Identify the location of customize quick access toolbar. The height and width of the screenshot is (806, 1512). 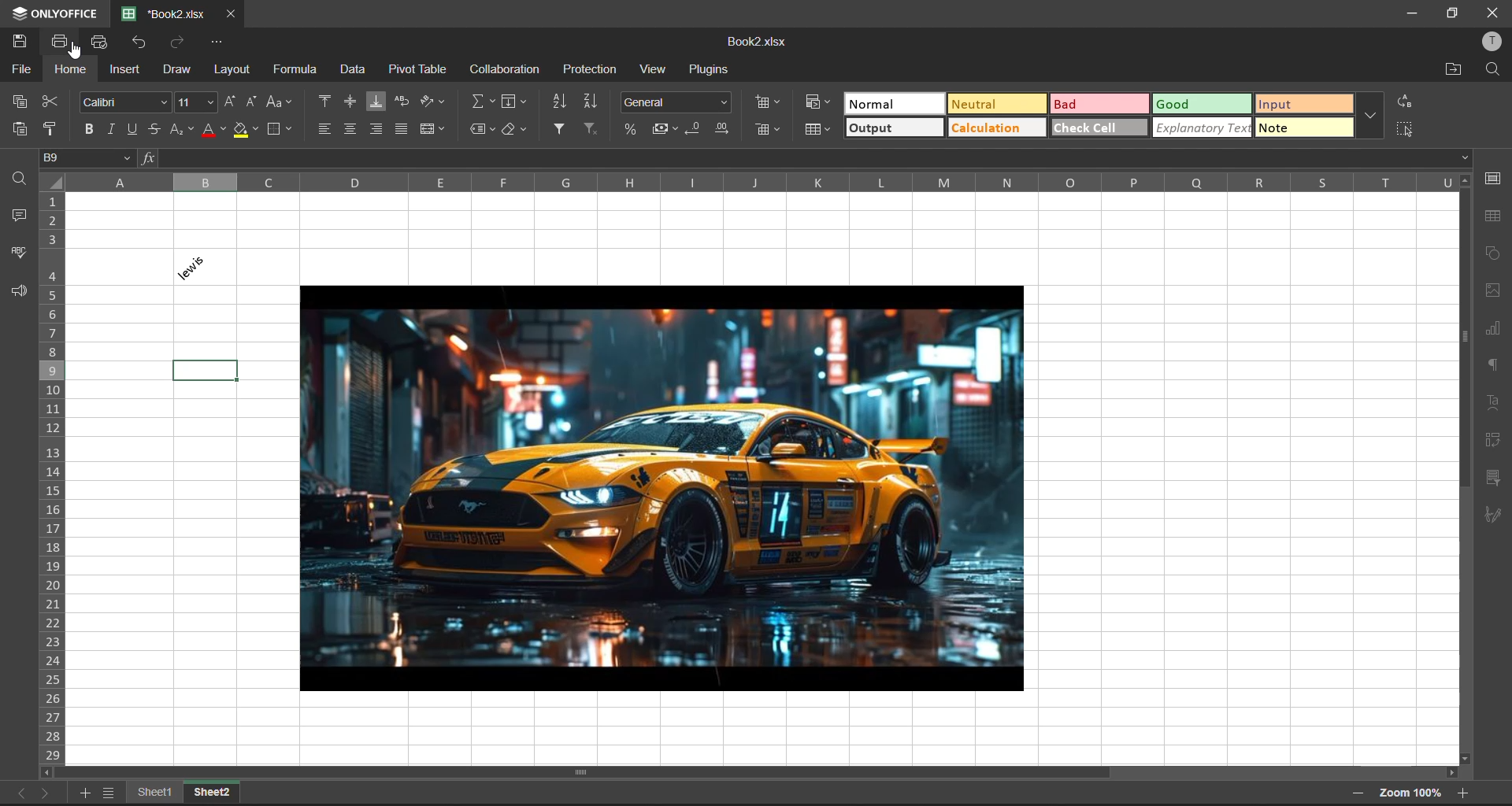
(223, 46).